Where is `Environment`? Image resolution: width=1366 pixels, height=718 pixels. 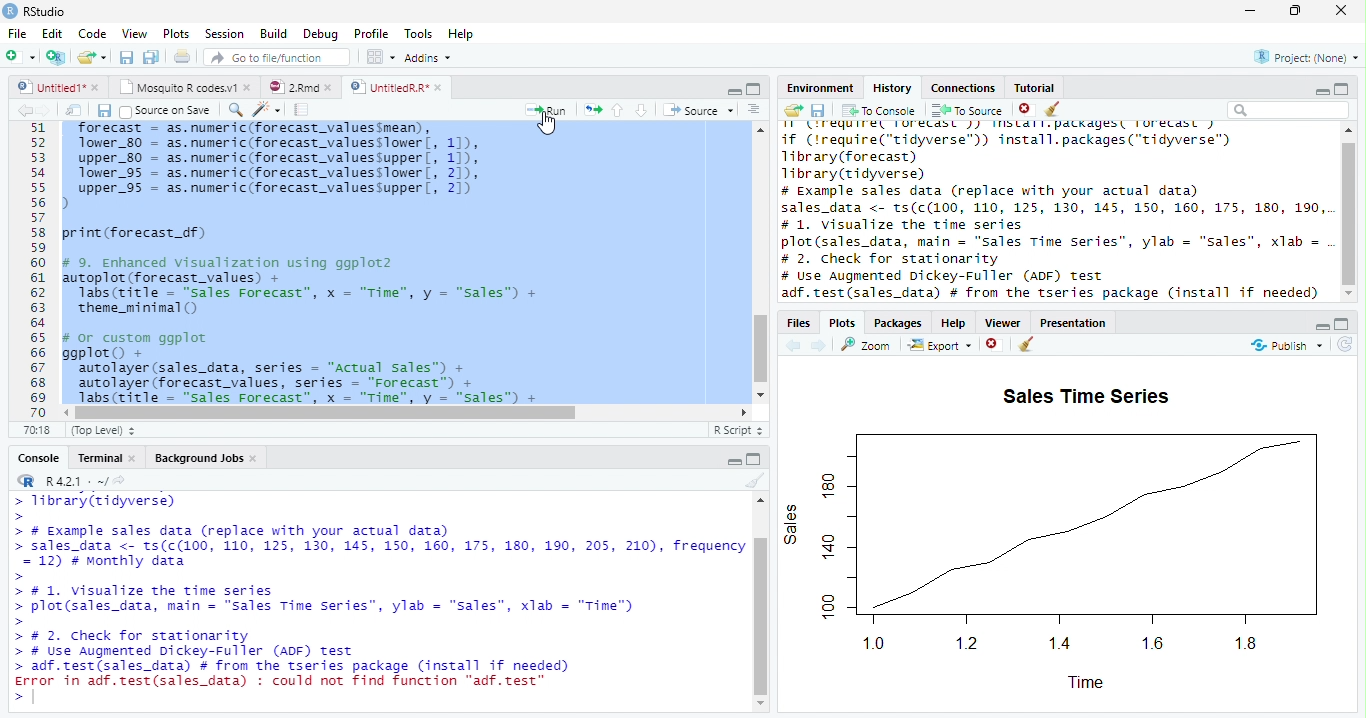 Environment is located at coordinates (822, 89).